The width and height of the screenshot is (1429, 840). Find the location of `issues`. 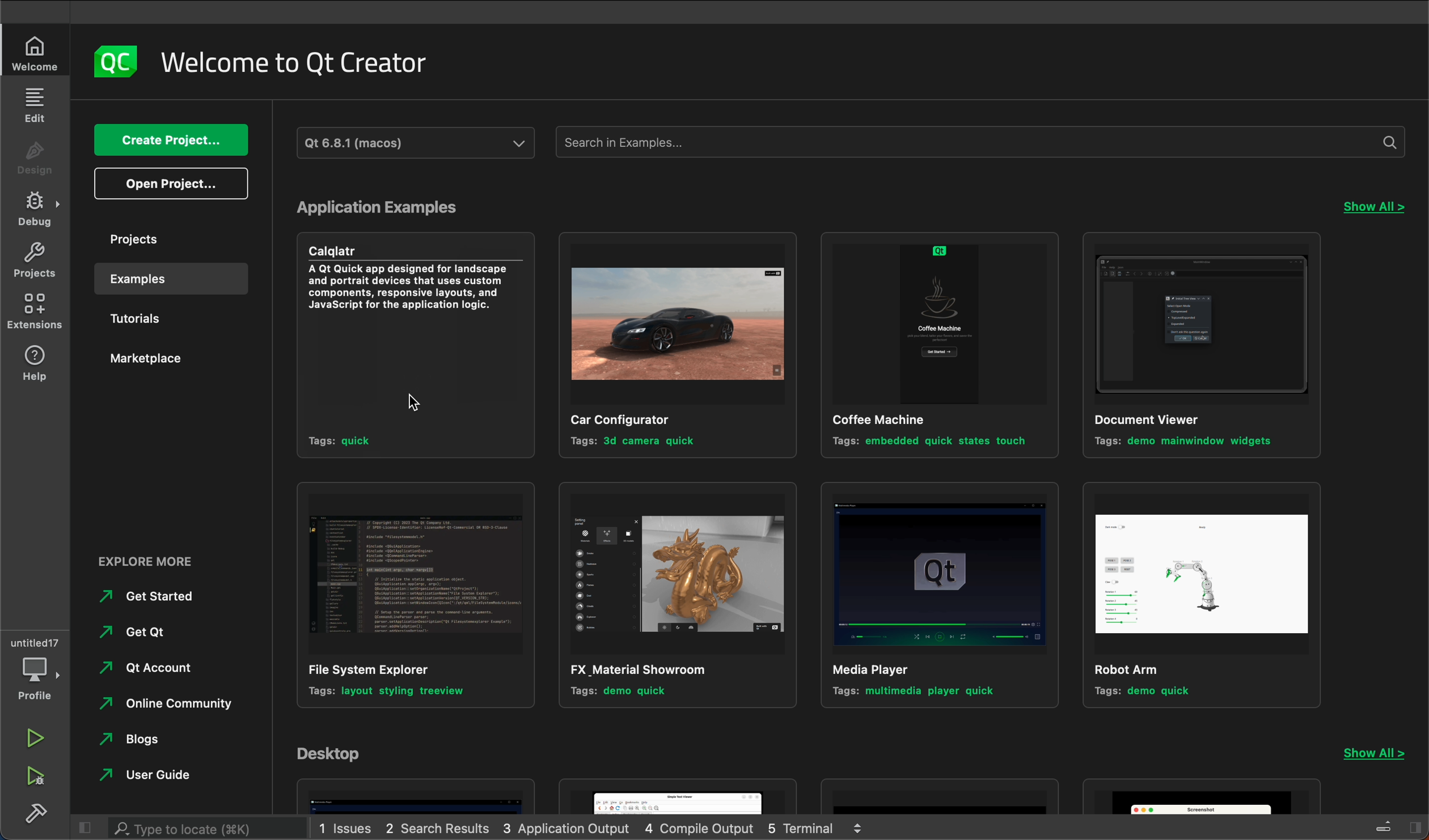

issues is located at coordinates (347, 828).